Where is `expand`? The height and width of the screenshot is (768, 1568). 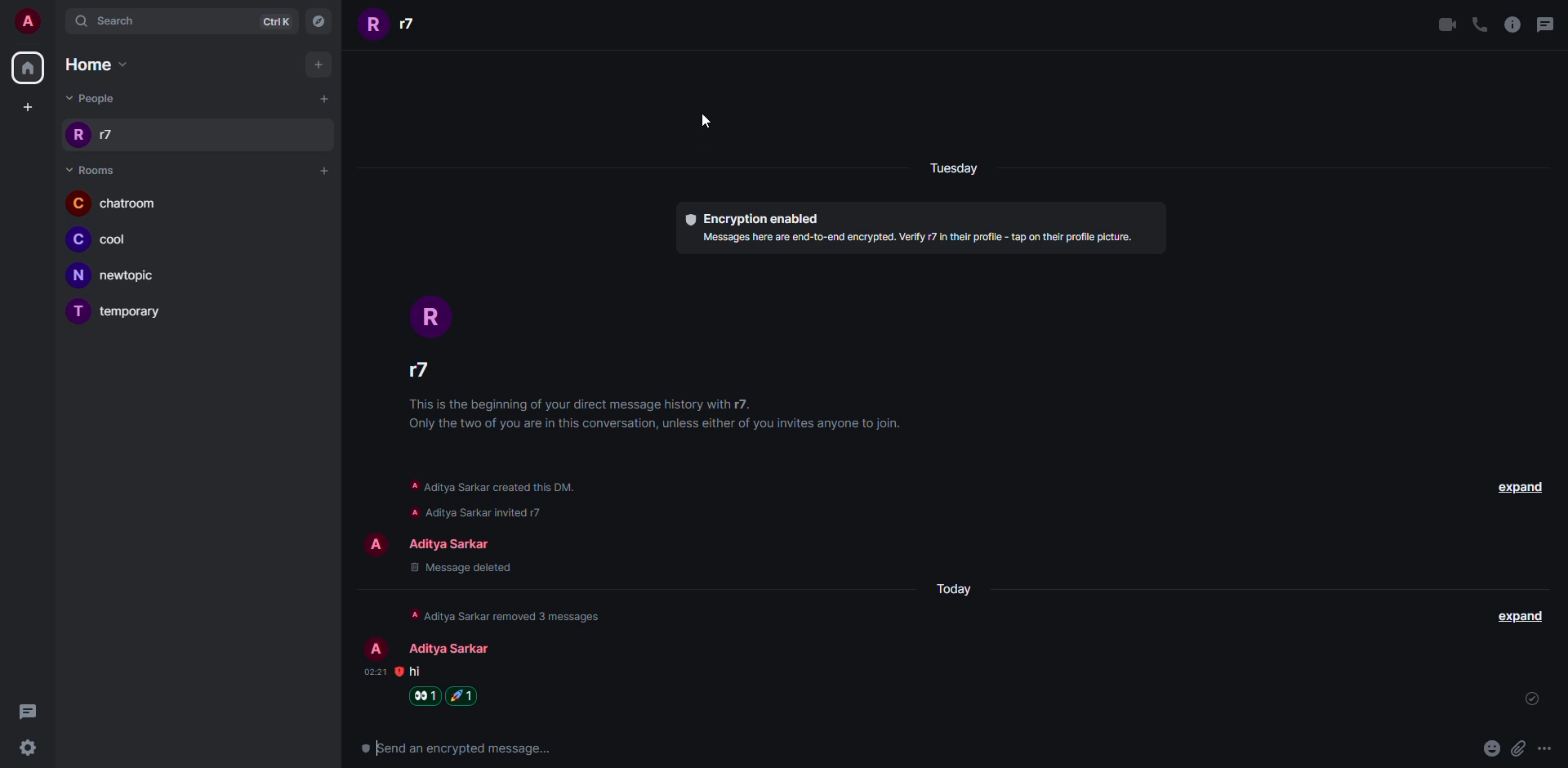 expand is located at coordinates (1515, 485).